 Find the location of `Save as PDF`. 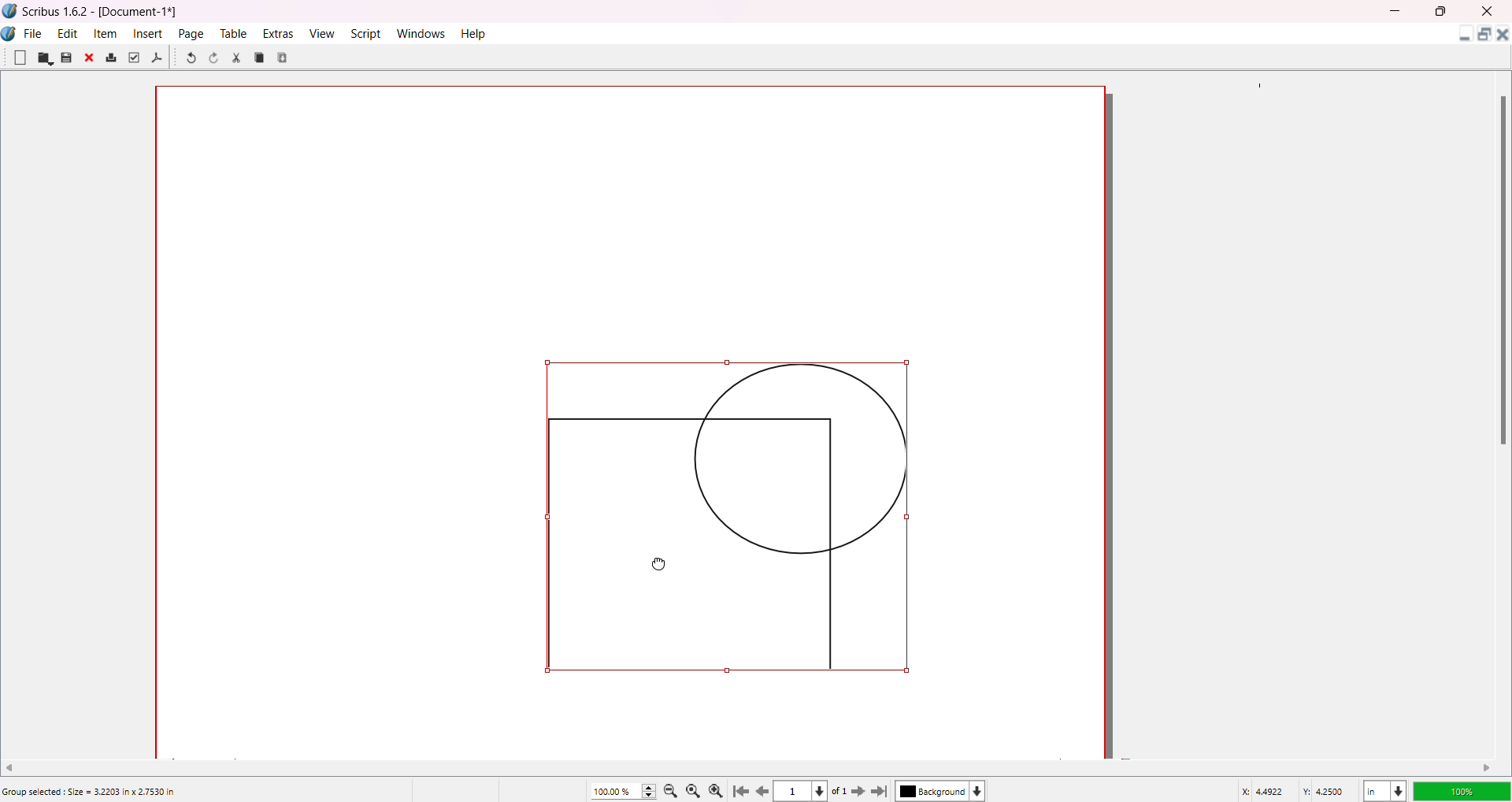

Save as PDF is located at coordinates (157, 58).